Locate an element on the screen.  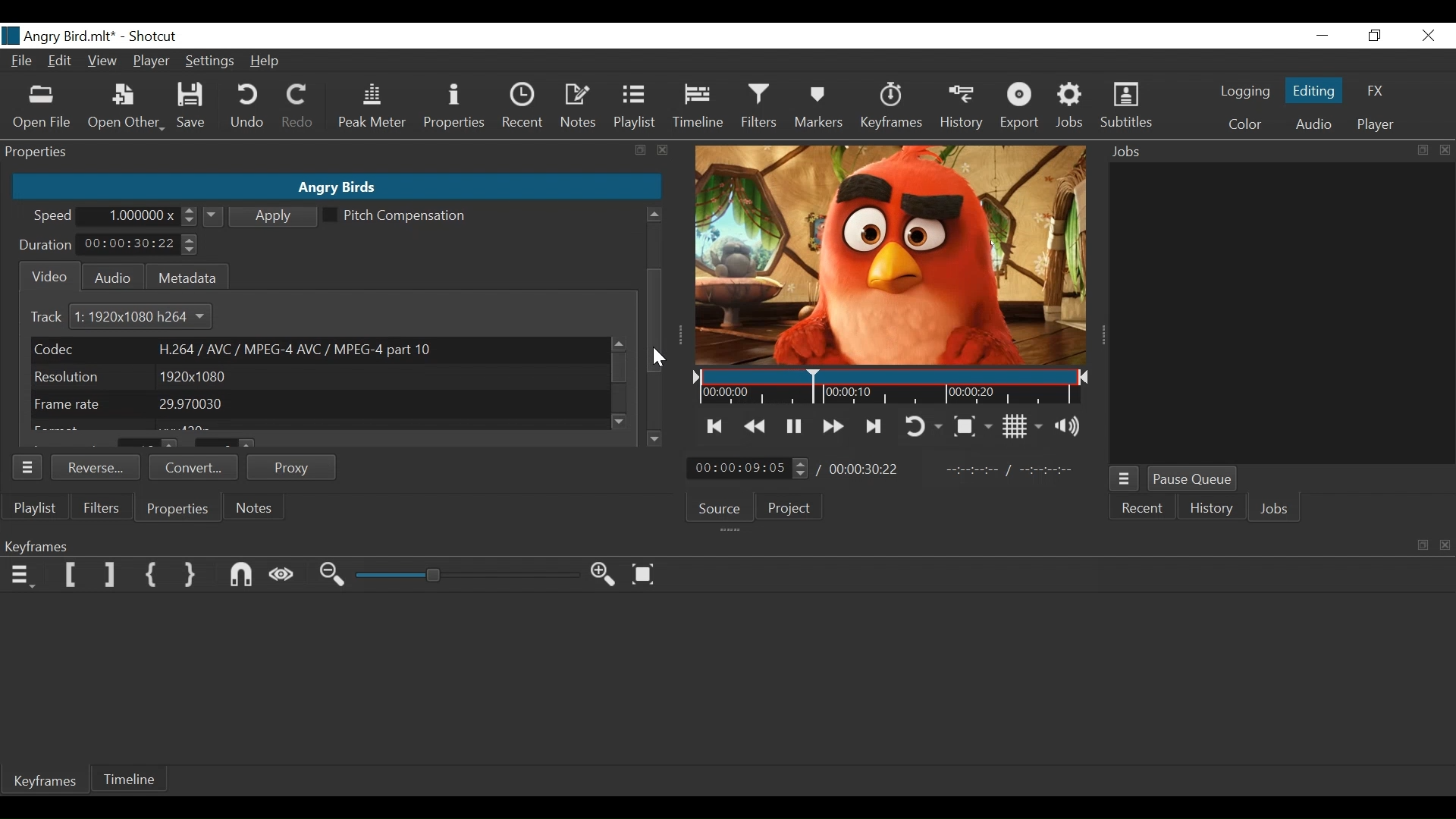
Filters is located at coordinates (758, 108).